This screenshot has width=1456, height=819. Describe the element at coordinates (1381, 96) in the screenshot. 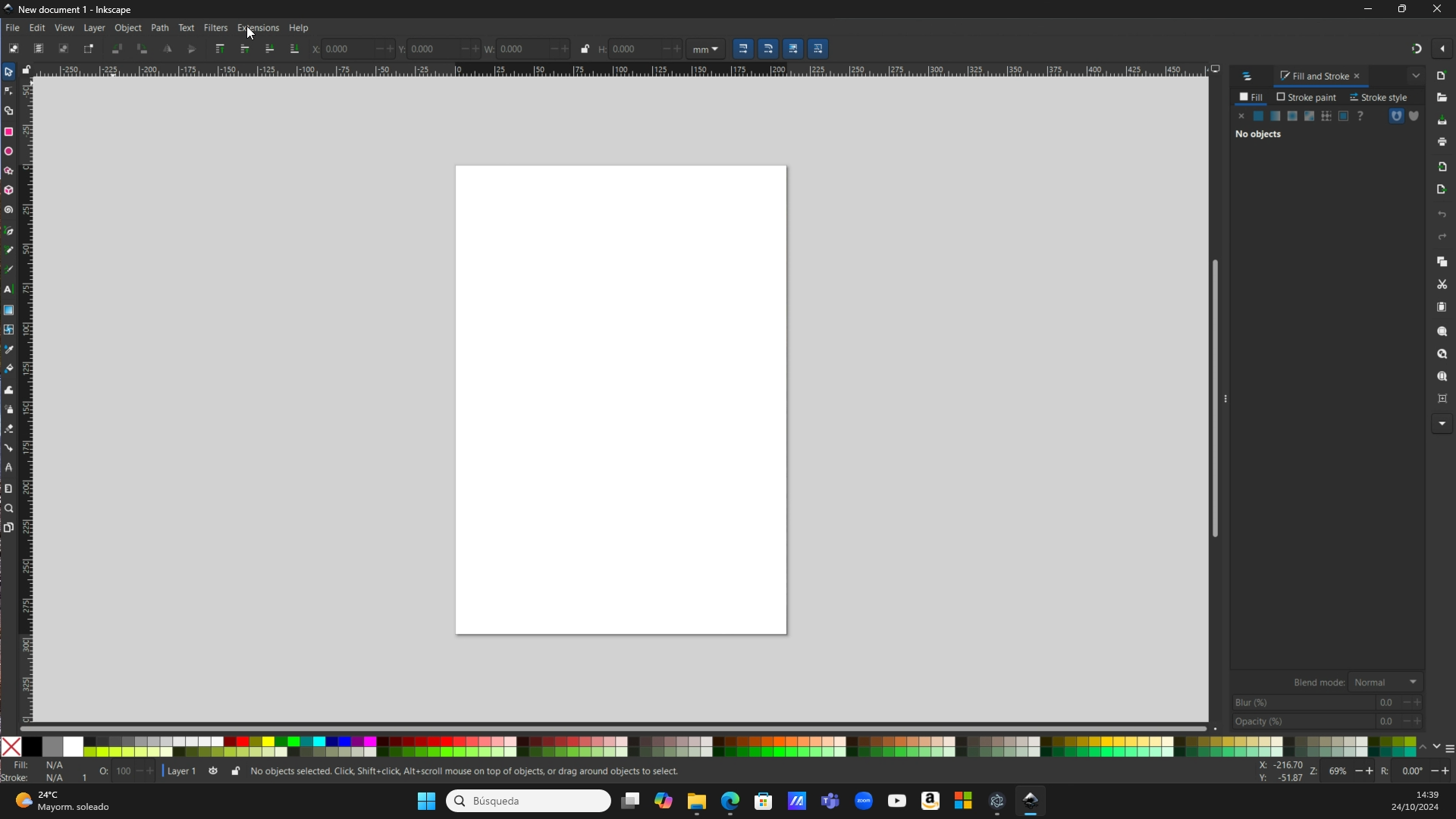

I see `Stroke Style` at that location.